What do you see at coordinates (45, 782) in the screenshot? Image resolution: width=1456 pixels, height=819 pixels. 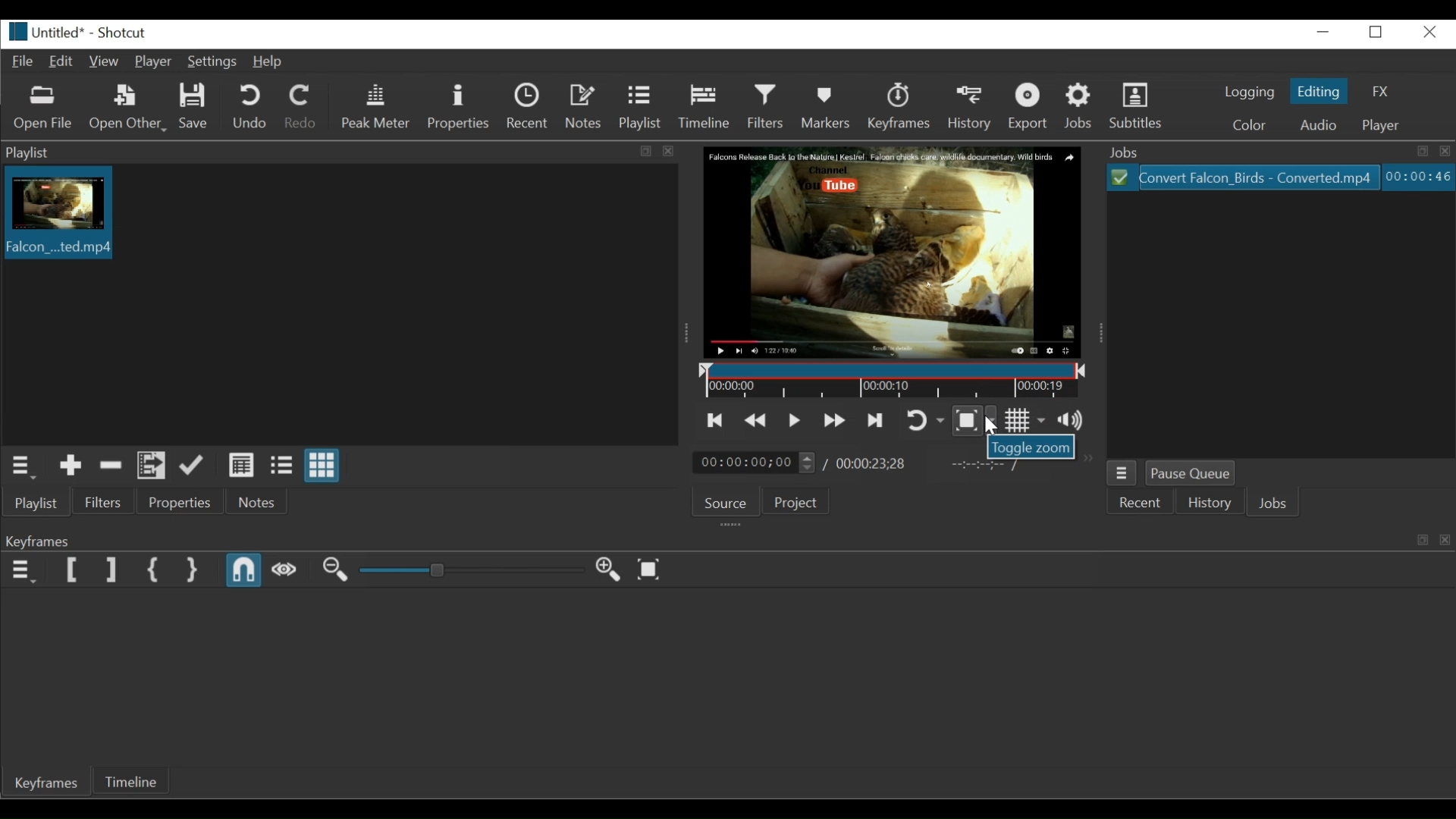 I see `Keyframes` at bounding box center [45, 782].